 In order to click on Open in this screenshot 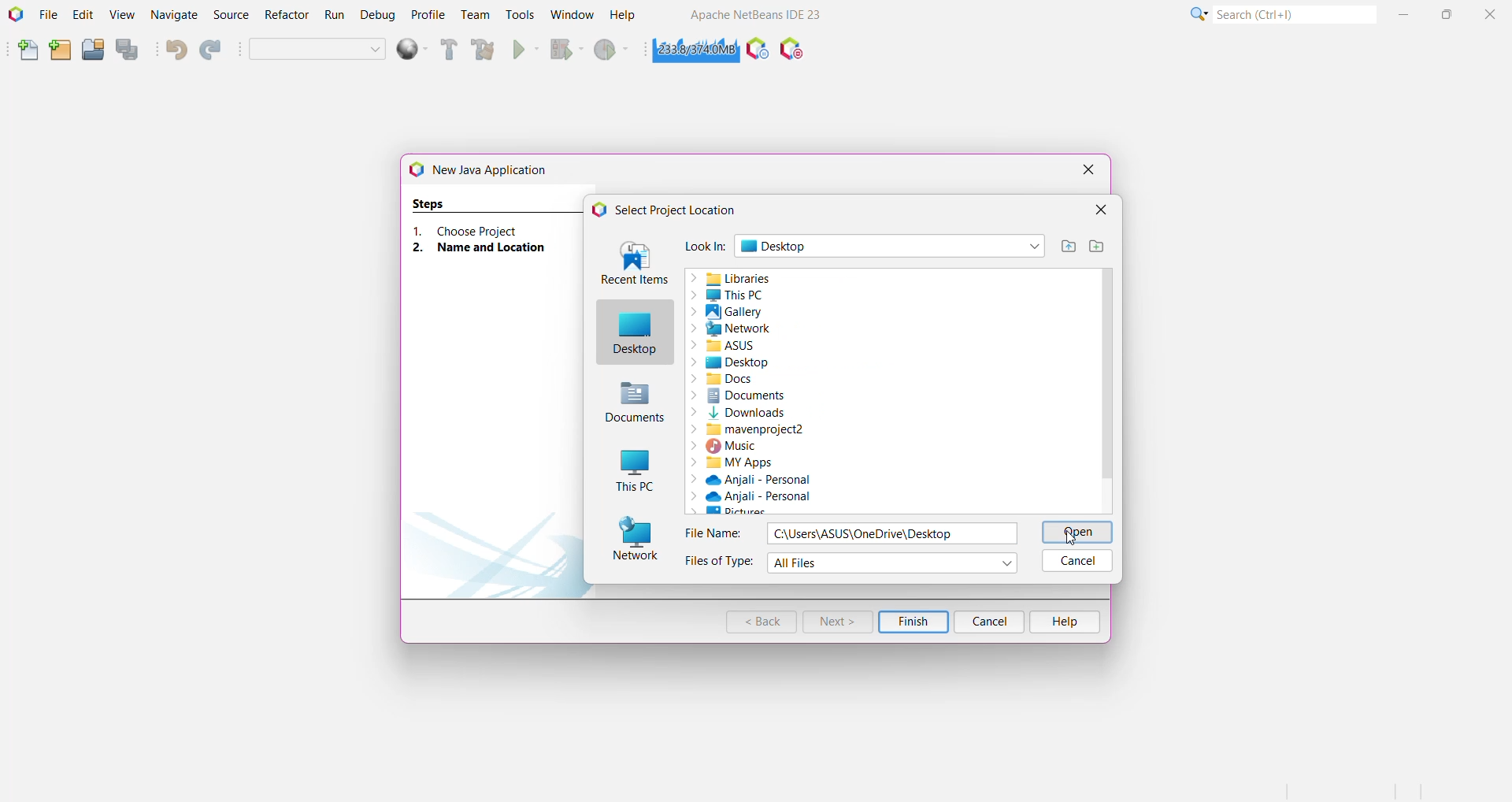, I will do `click(1077, 533)`.